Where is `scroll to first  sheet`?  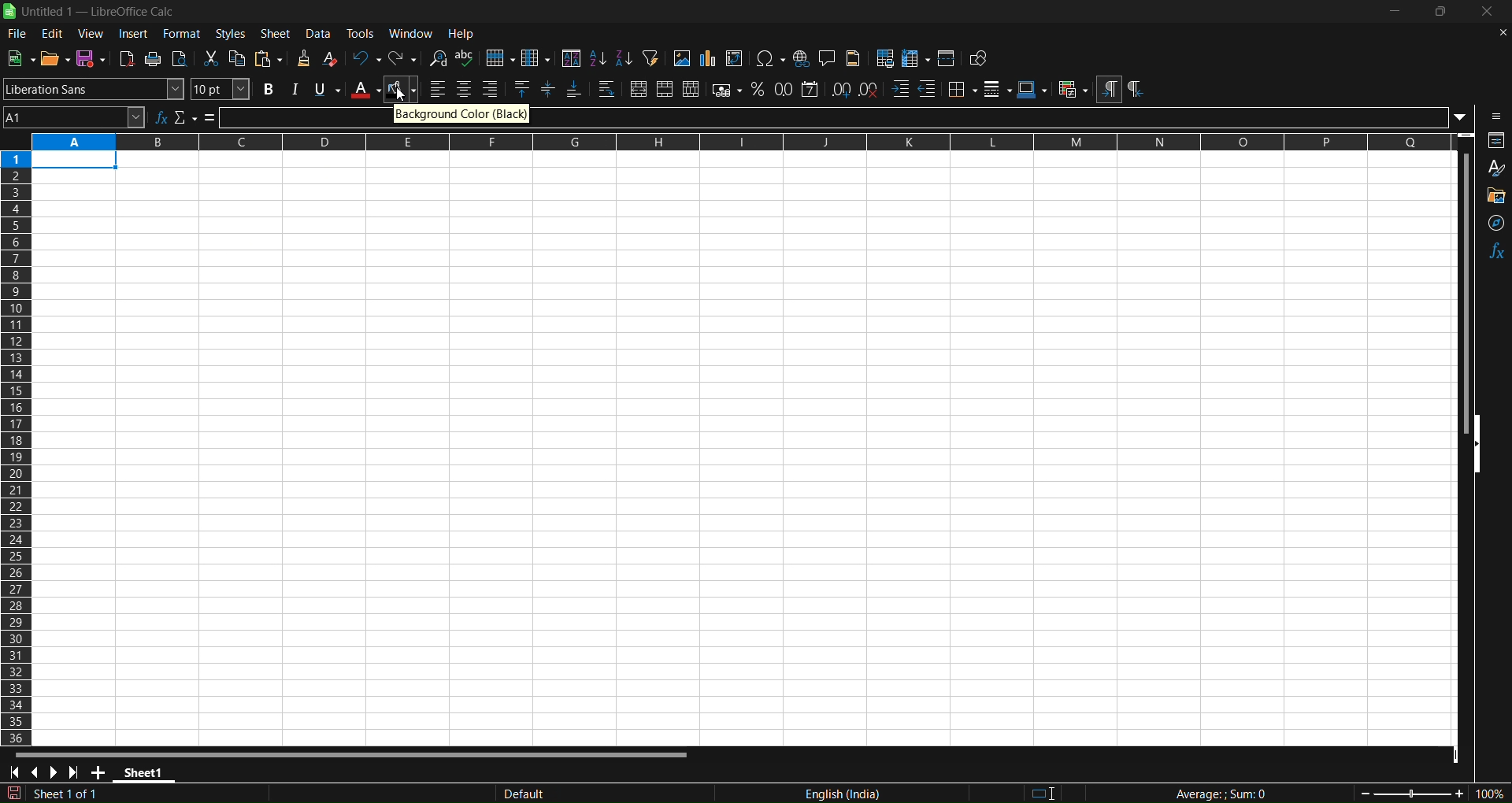 scroll to first  sheet is located at coordinates (13, 772).